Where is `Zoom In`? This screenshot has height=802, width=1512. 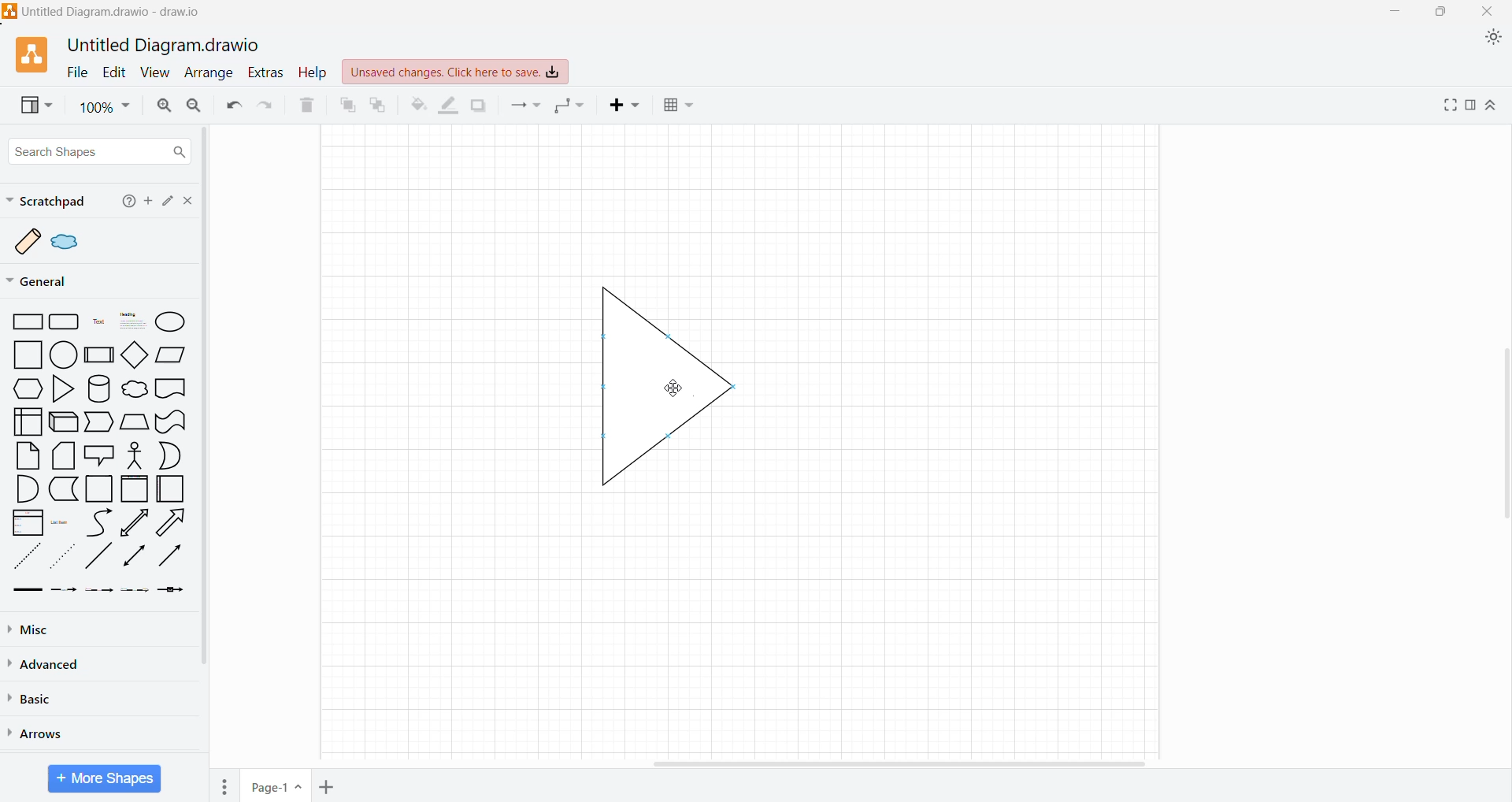
Zoom In is located at coordinates (164, 106).